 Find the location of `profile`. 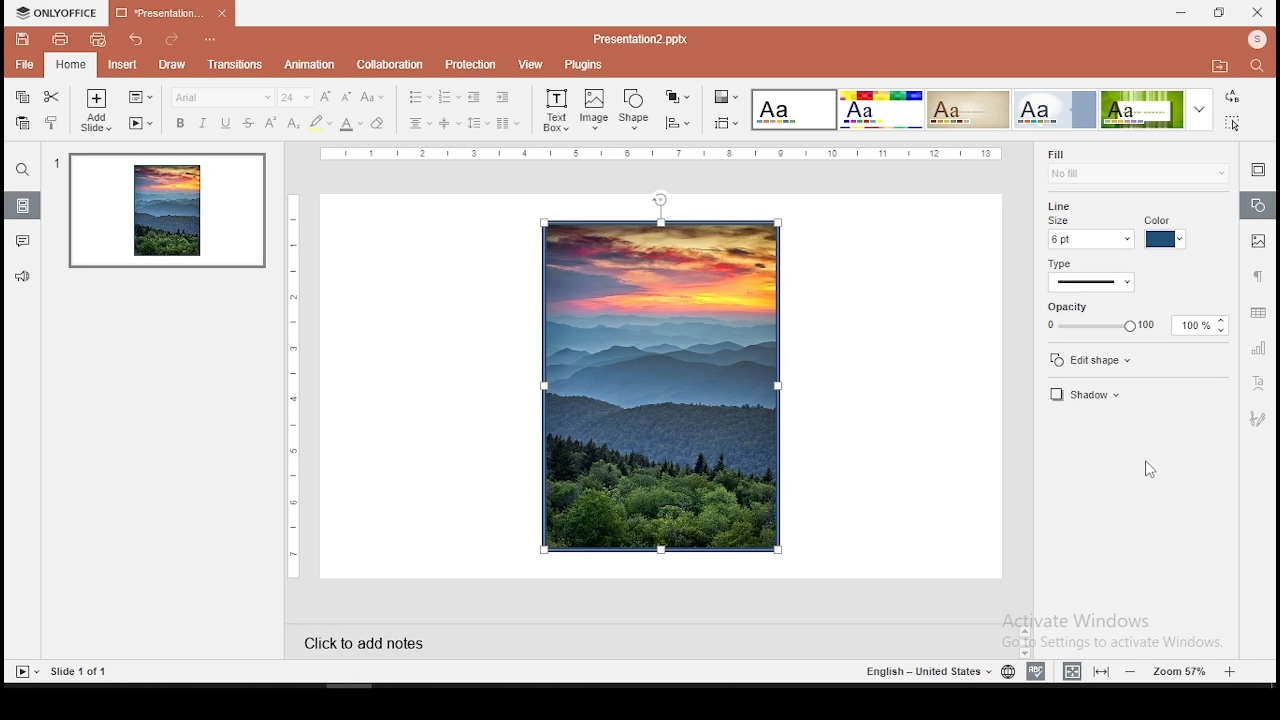

profile is located at coordinates (1255, 40).